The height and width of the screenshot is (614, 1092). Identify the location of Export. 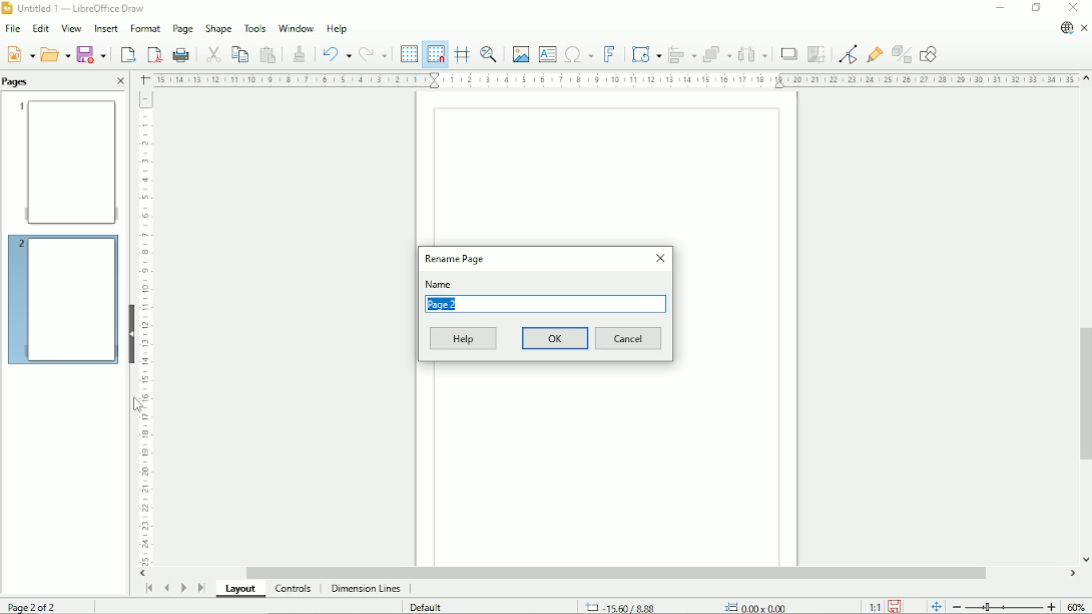
(126, 54).